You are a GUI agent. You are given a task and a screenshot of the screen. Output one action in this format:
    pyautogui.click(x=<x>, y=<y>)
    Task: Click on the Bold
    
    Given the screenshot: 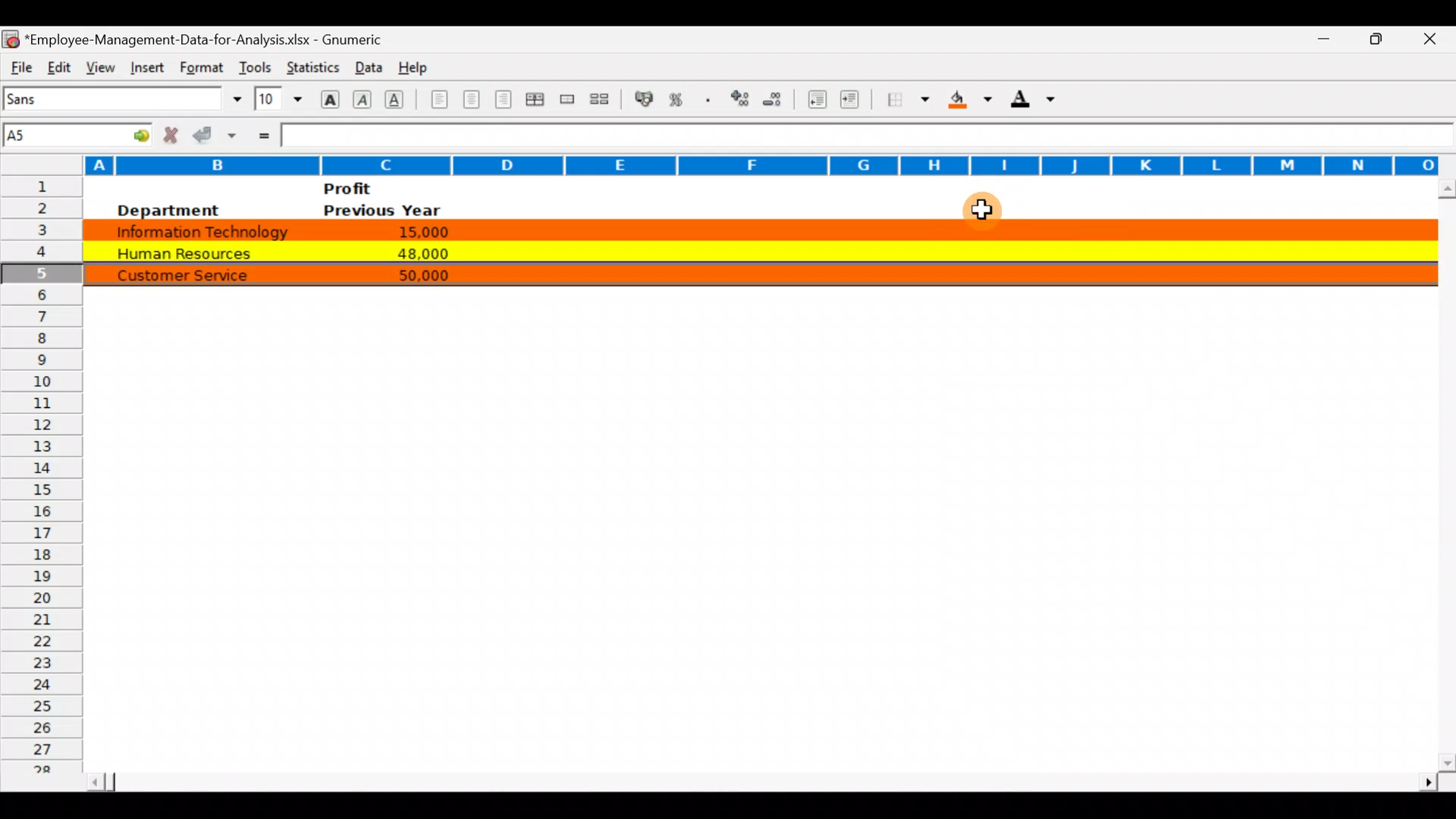 What is the action you would take?
    pyautogui.click(x=328, y=98)
    